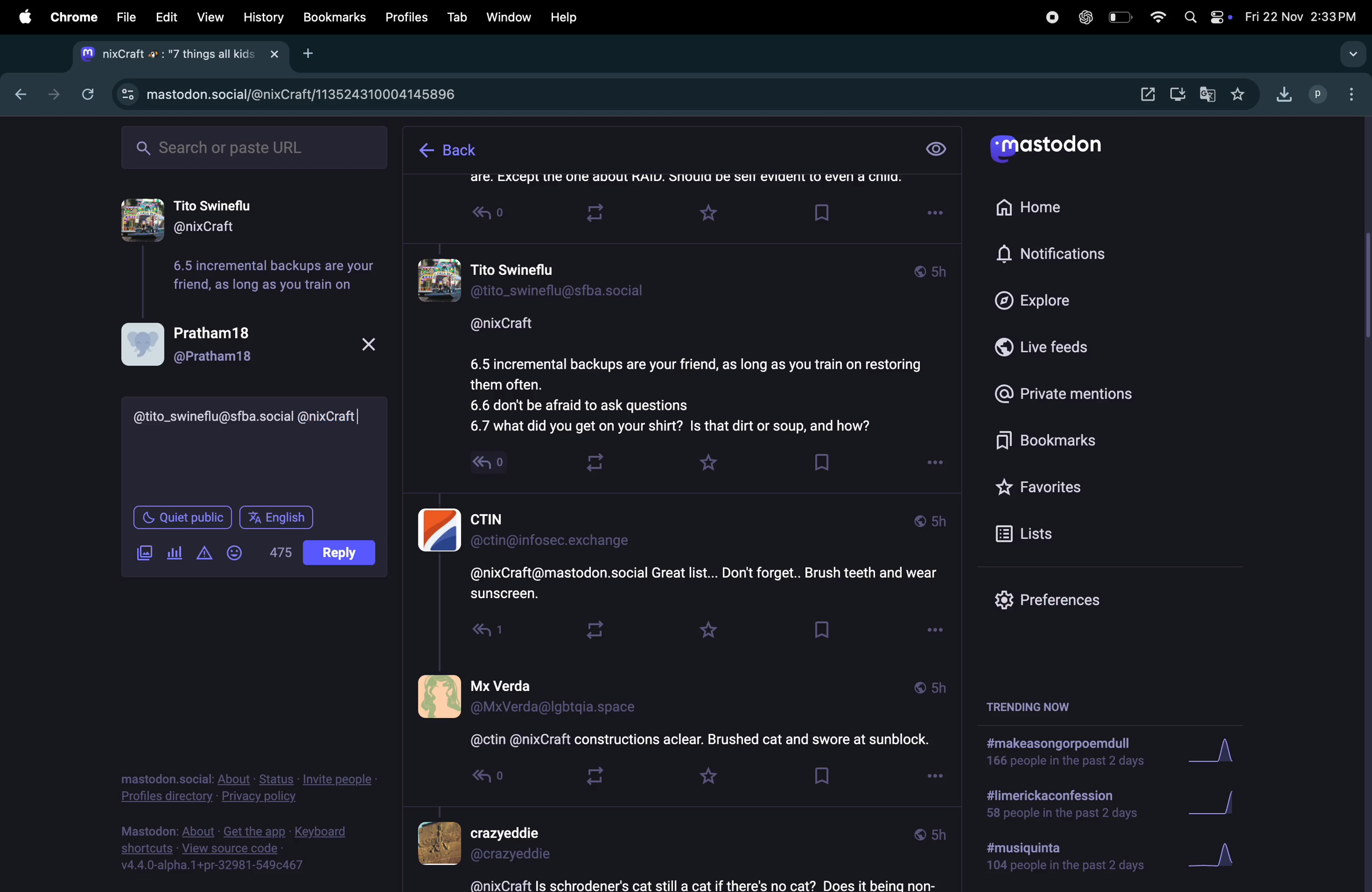 Image resolution: width=1372 pixels, height=892 pixels. Describe the element at coordinates (1058, 806) in the screenshot. I see `#limerickaconfession
58 people in the past 2 days` at that location.